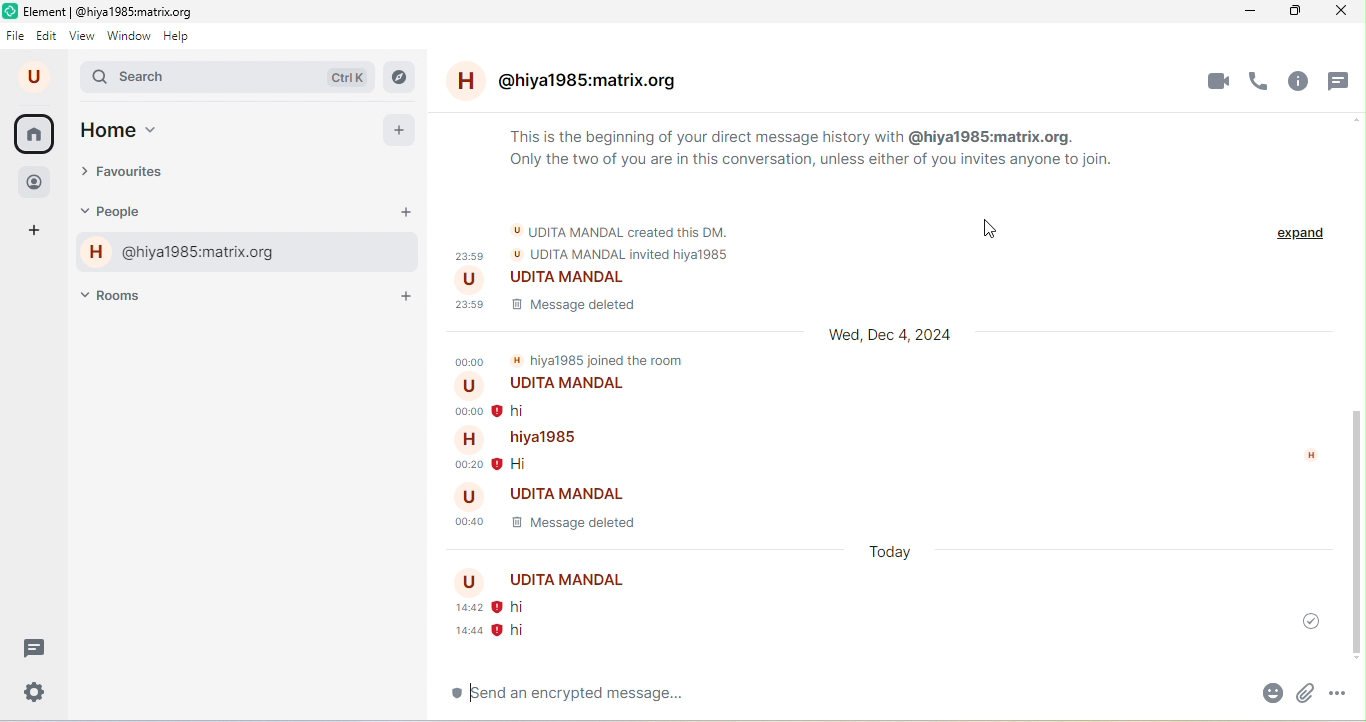  I want to click on 23.59, so click(465, 253).